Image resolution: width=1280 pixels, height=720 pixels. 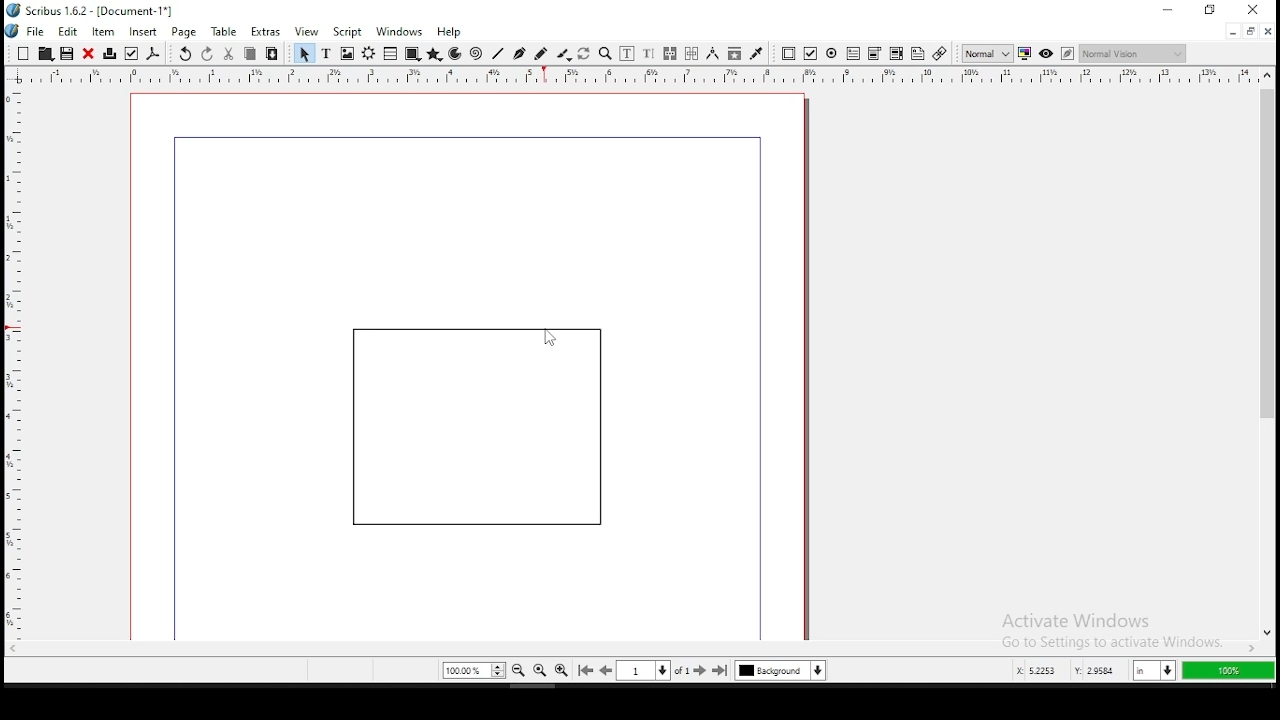 I want to click on copy item properties, so click(x=734, y=54).